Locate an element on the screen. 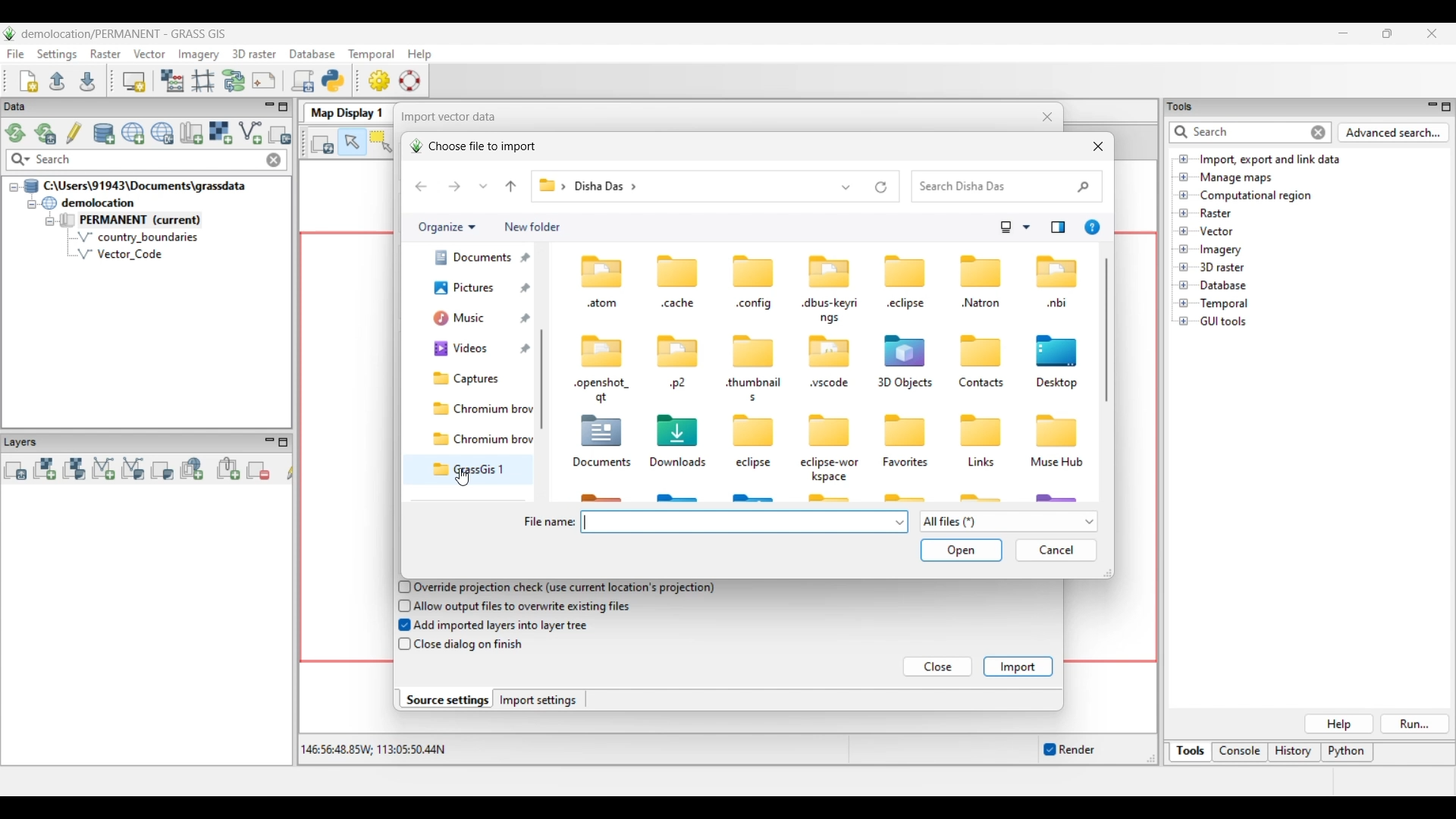  Add web service layer is located at coordinates (192, 469).